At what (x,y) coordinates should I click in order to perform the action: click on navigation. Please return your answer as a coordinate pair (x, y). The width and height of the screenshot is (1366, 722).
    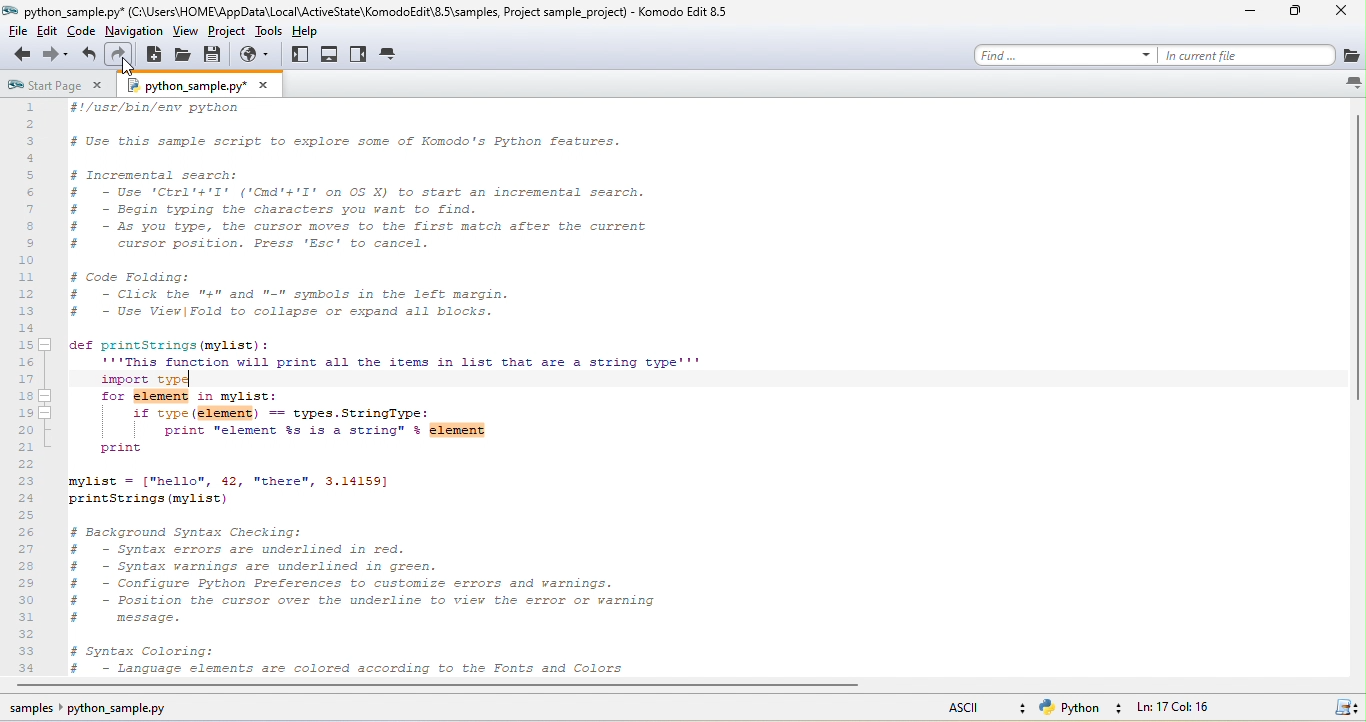
    Looking at the image, I should click on (134, 31).